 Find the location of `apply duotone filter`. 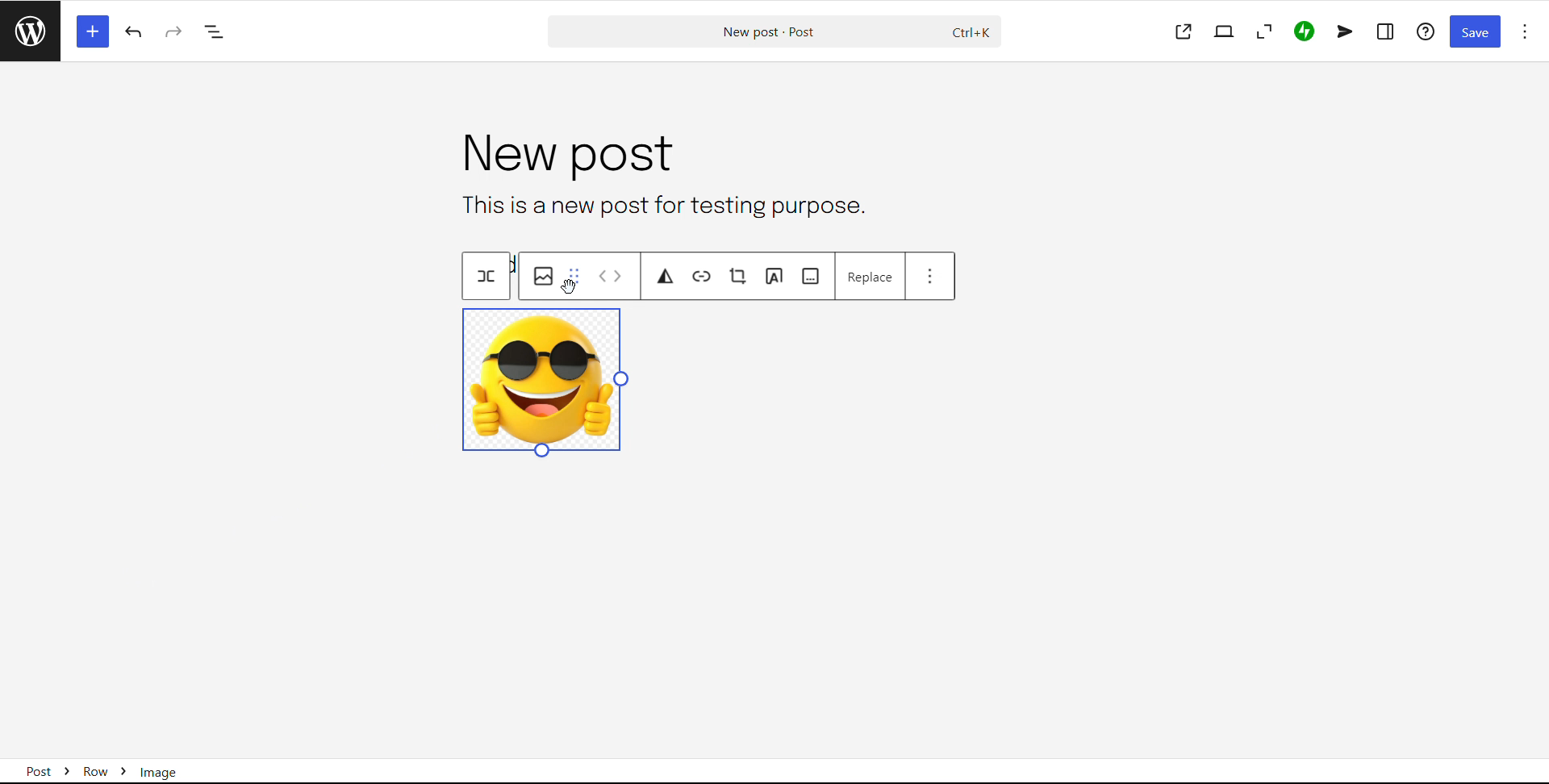

apply duotone filter is located at coordinates (667, 277).